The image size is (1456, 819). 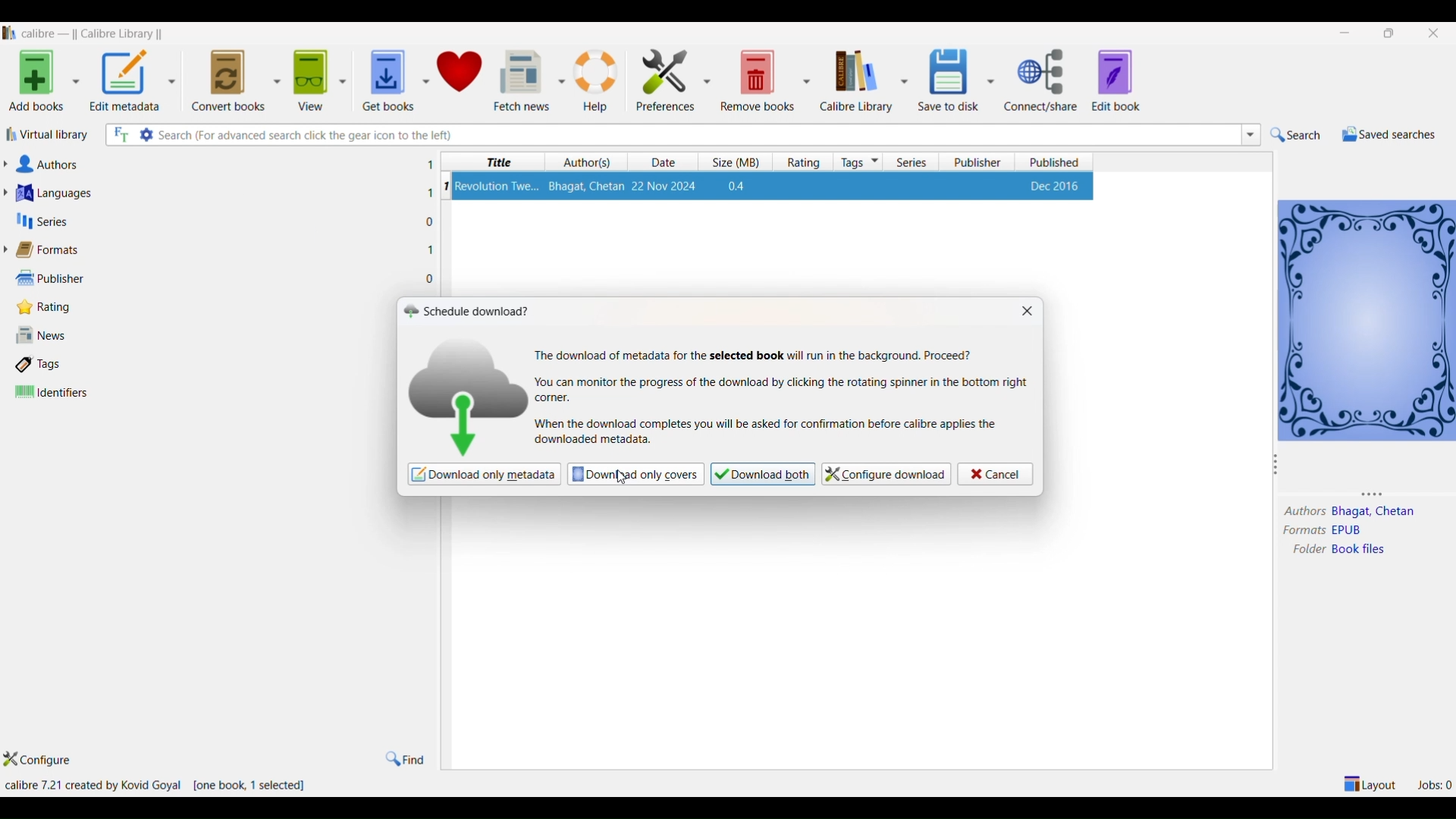 What do you see at coordinates (74, 193) in the screenshot?
I see `languages and number of languages` at bounding box center [74, 193].